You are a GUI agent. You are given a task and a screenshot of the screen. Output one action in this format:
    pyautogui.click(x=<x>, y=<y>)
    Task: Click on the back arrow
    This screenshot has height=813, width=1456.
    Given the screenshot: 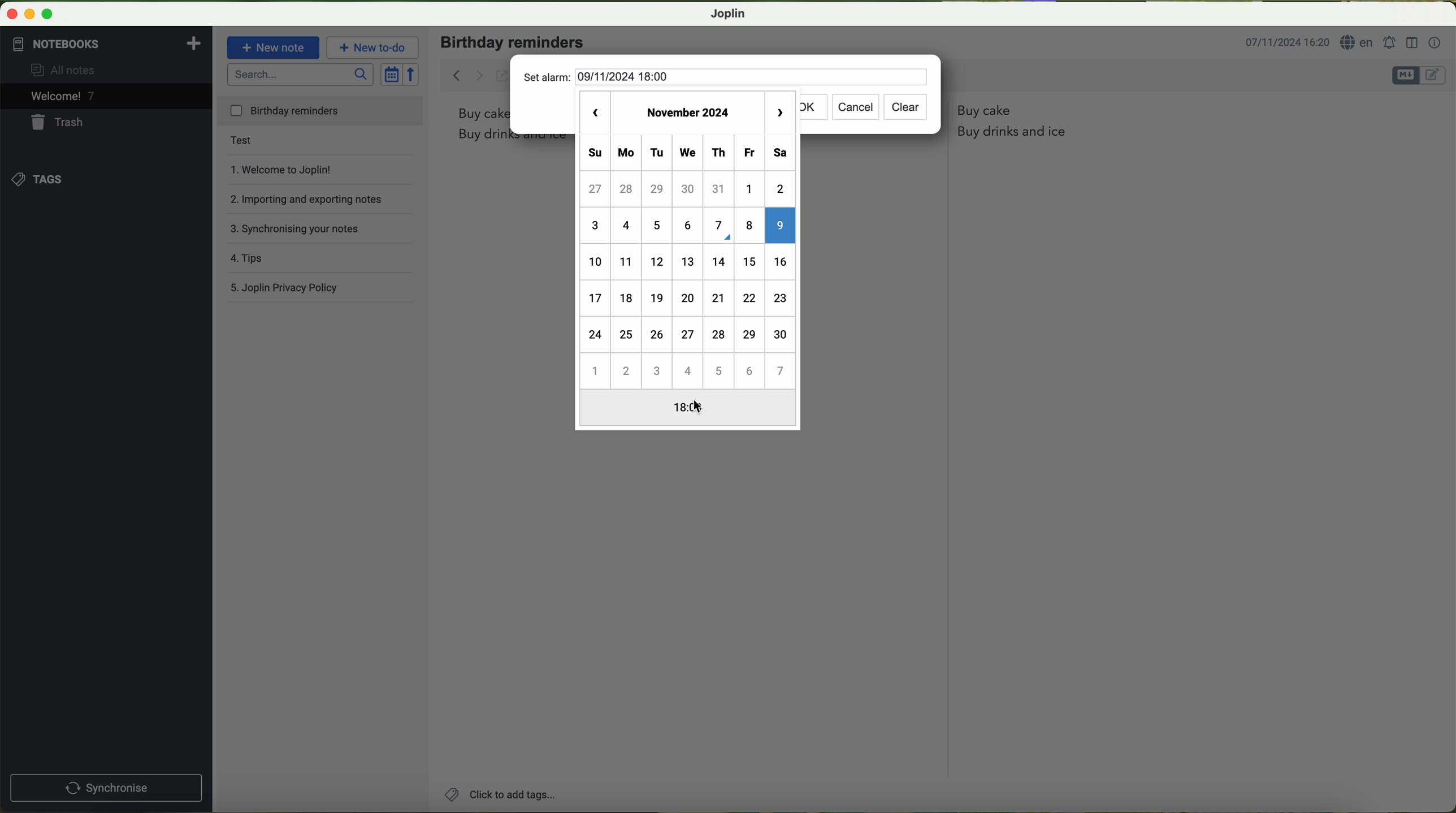 What is the action you would take?
    pyautogui.click(x=466, y=74)
    